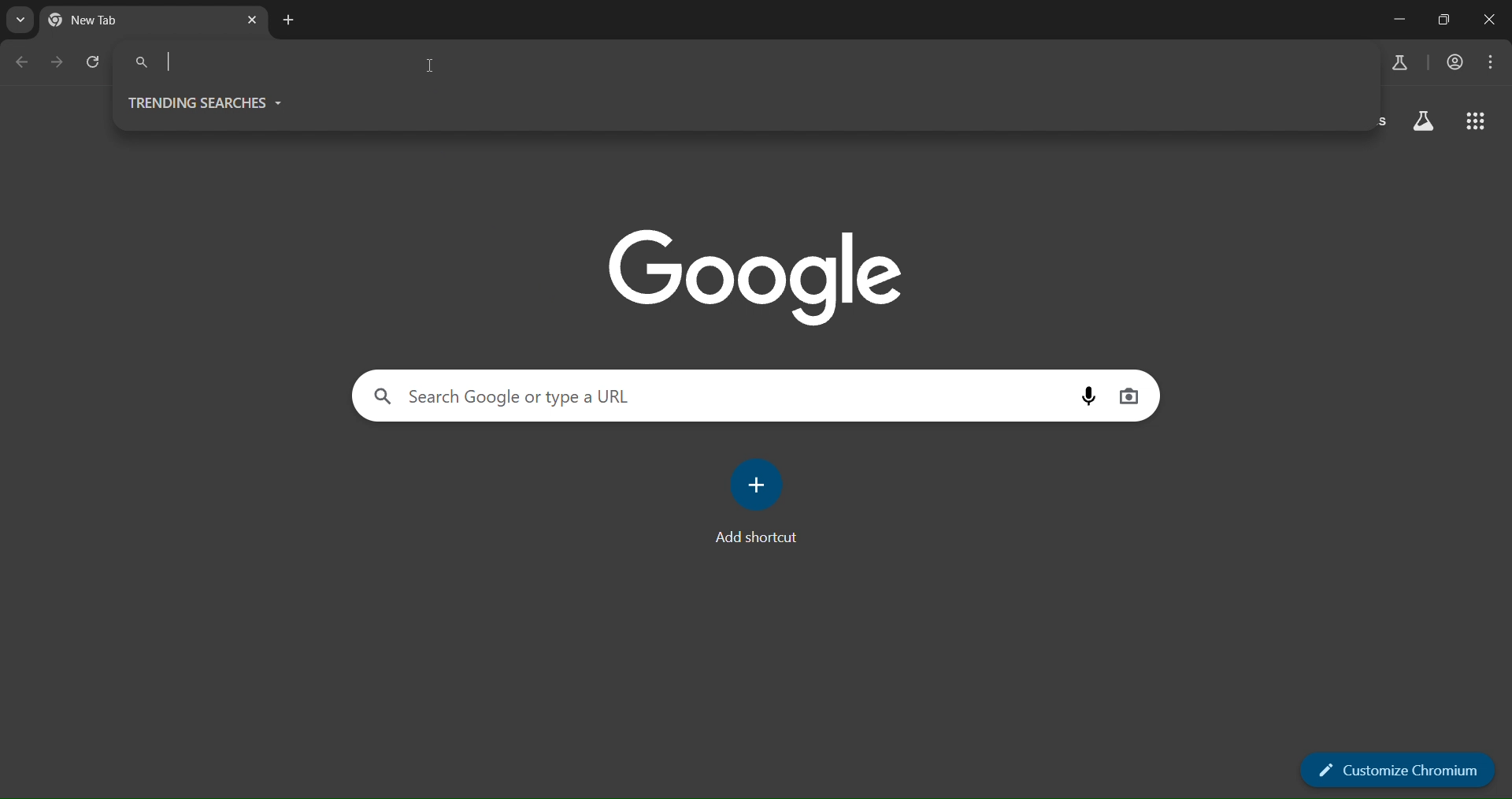 This screenshot has width=1512, height=799. Describe the element at coordinates (1423, 121) in the screenshot. I see `search labs` at that location.